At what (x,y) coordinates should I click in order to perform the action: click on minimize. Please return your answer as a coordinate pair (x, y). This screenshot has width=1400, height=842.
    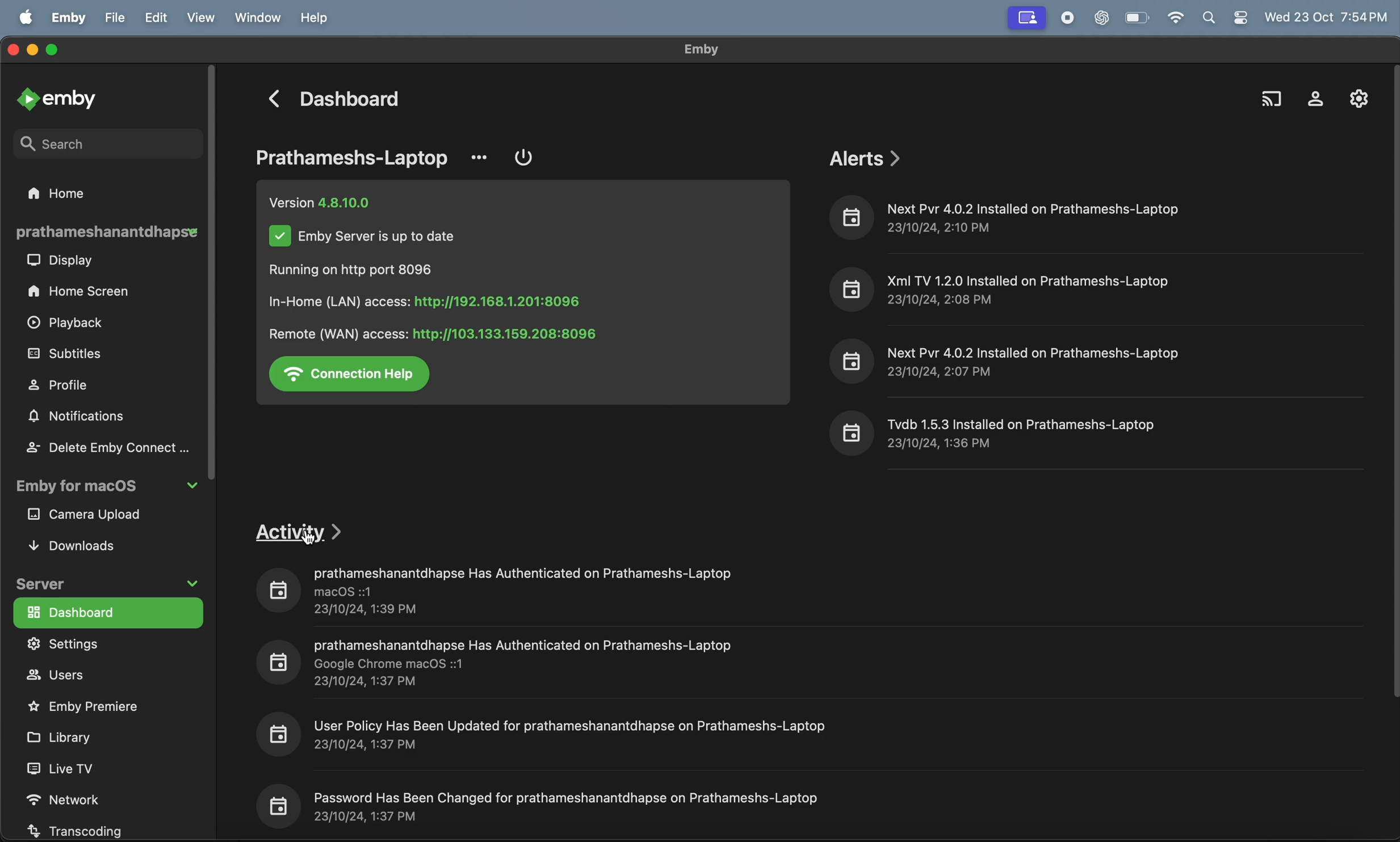
    Looking at the image, I should click on (35, 52).